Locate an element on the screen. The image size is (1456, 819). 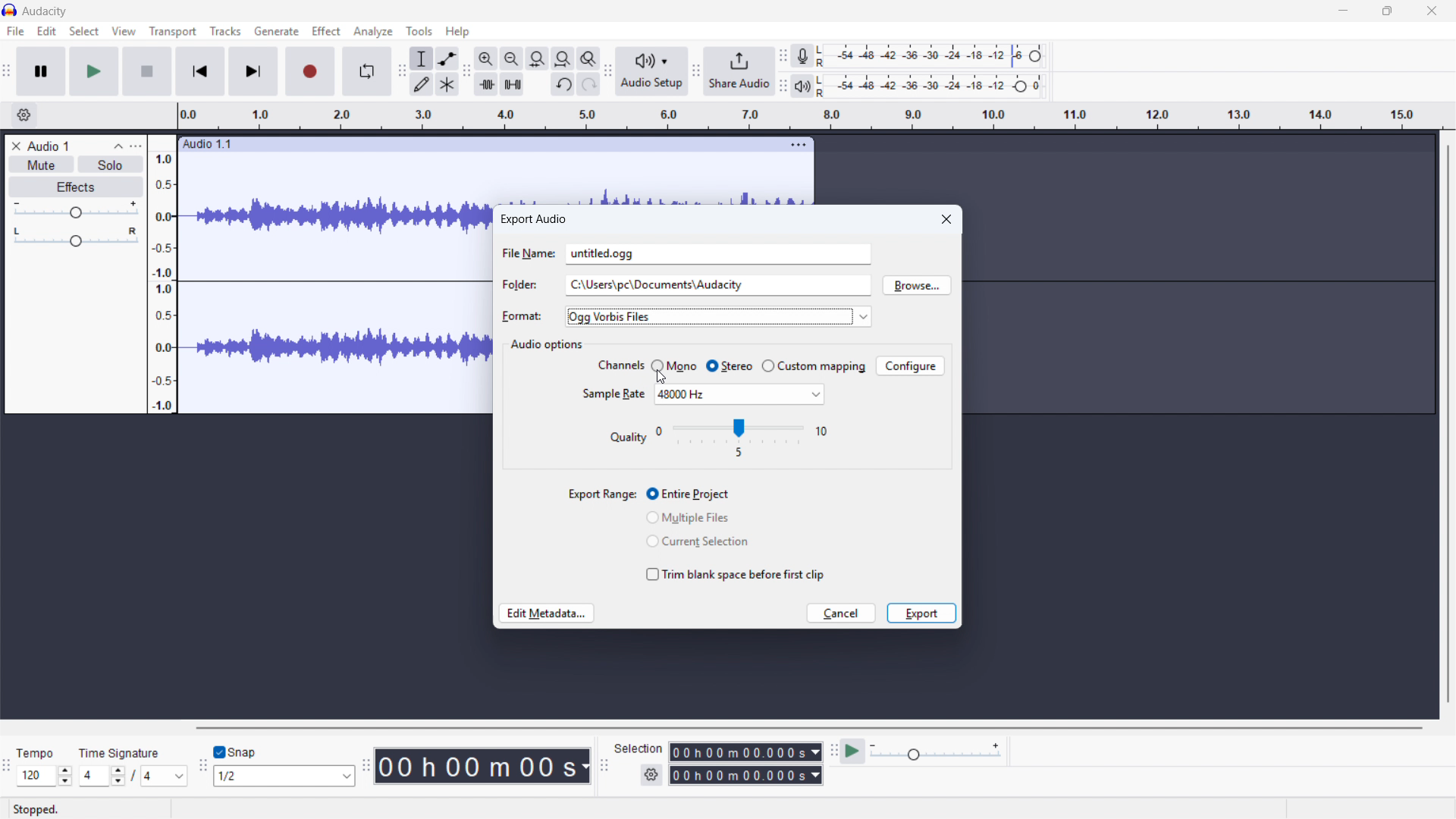
playback metre toolbar  is located at coordinates (783, 86).